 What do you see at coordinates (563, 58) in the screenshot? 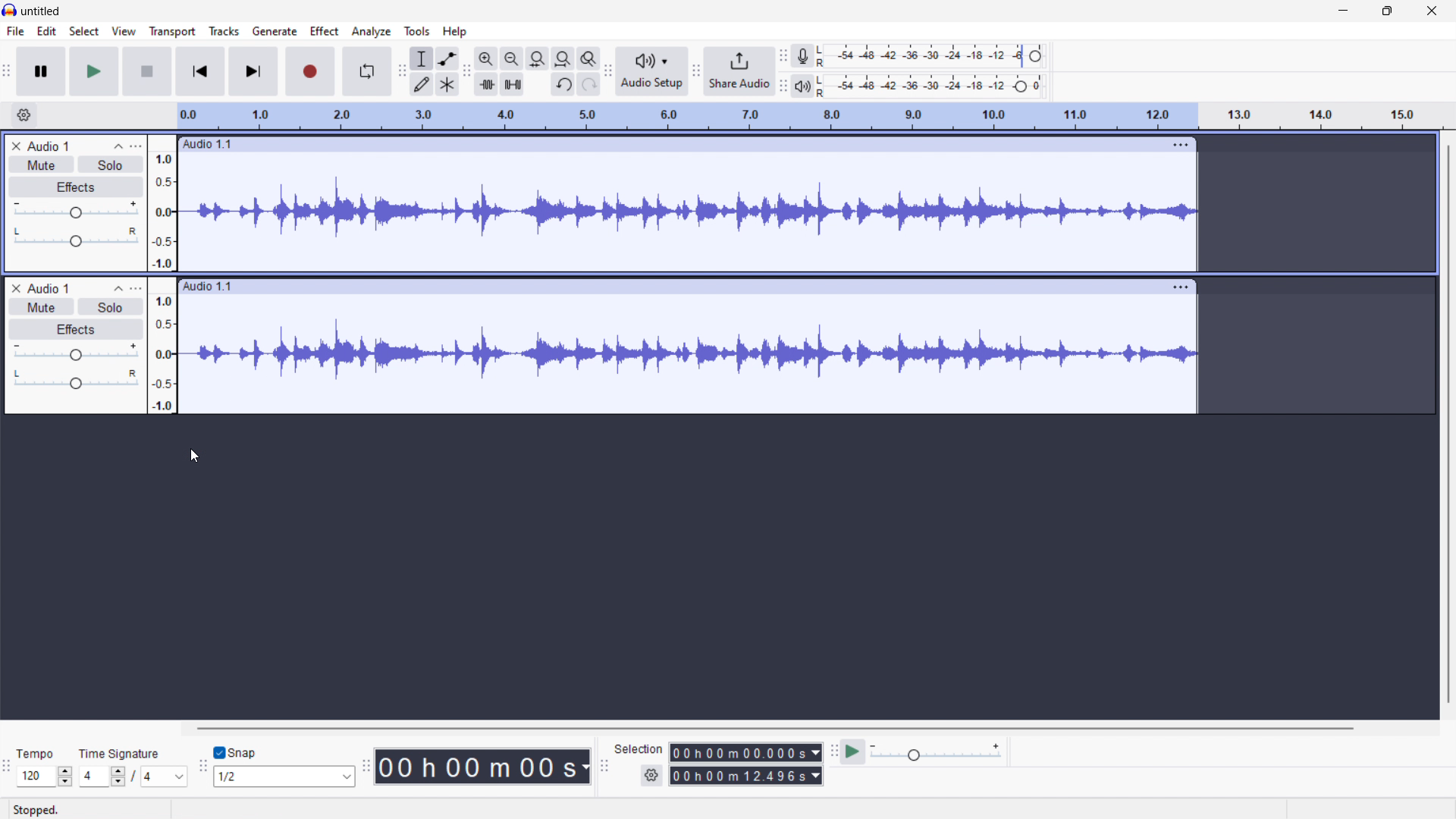
I see `fit project to width` at bounding box center [563, 58].